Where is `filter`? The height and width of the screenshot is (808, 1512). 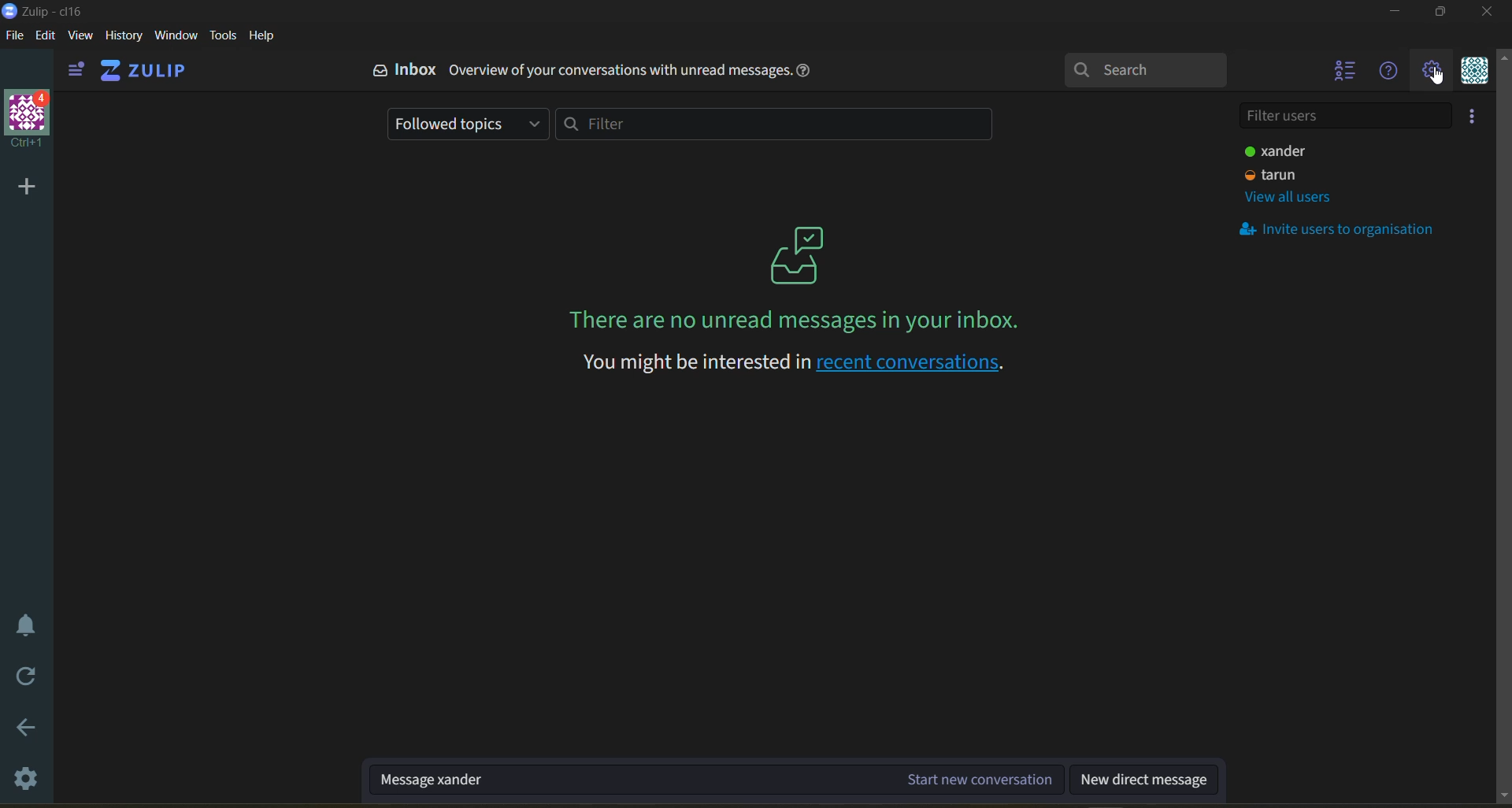 filter is located at coordinates (769, 124).